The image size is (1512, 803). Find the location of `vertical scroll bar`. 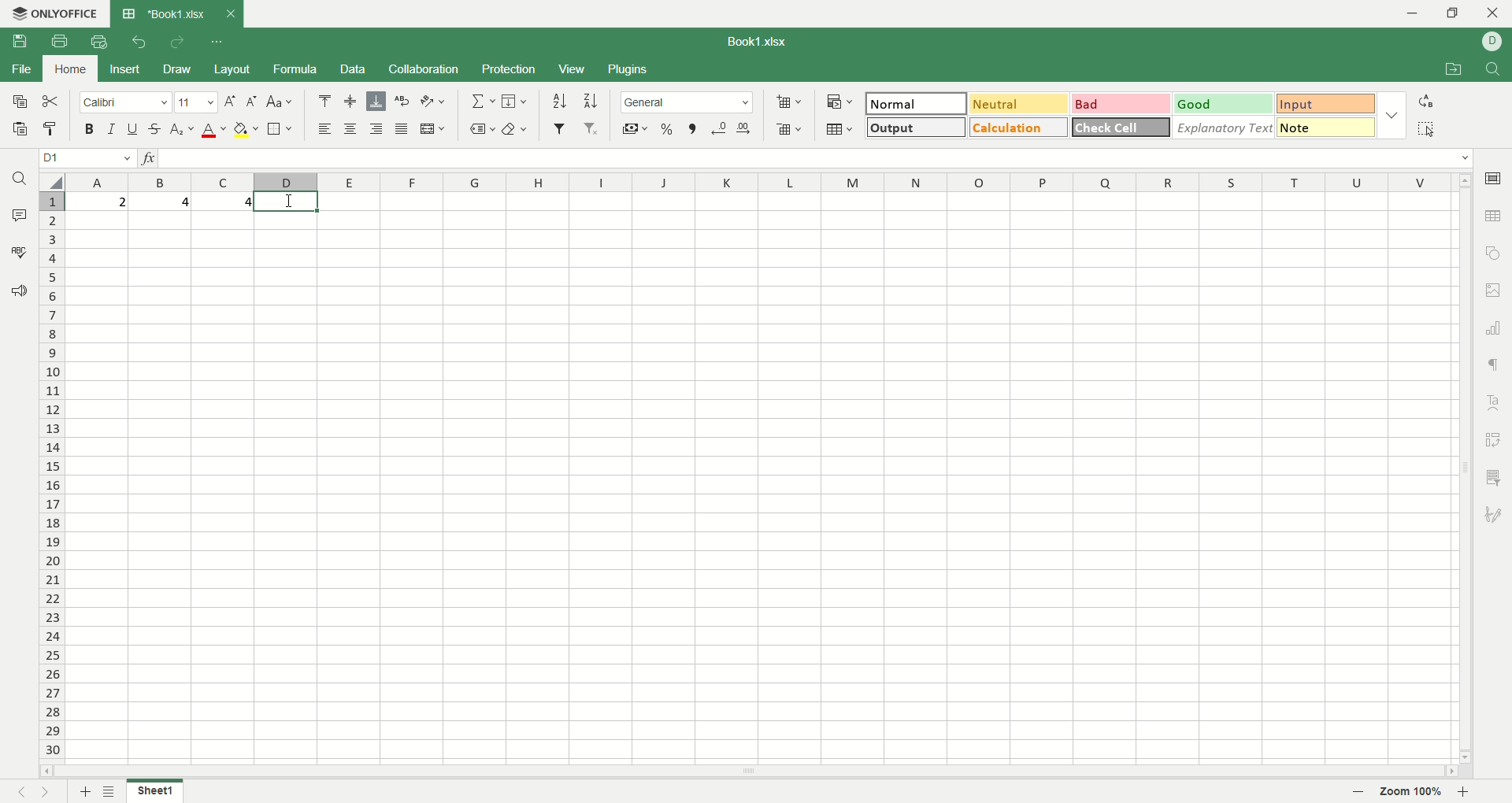

vertical scroll bar is located at coordinates (1466, 475).